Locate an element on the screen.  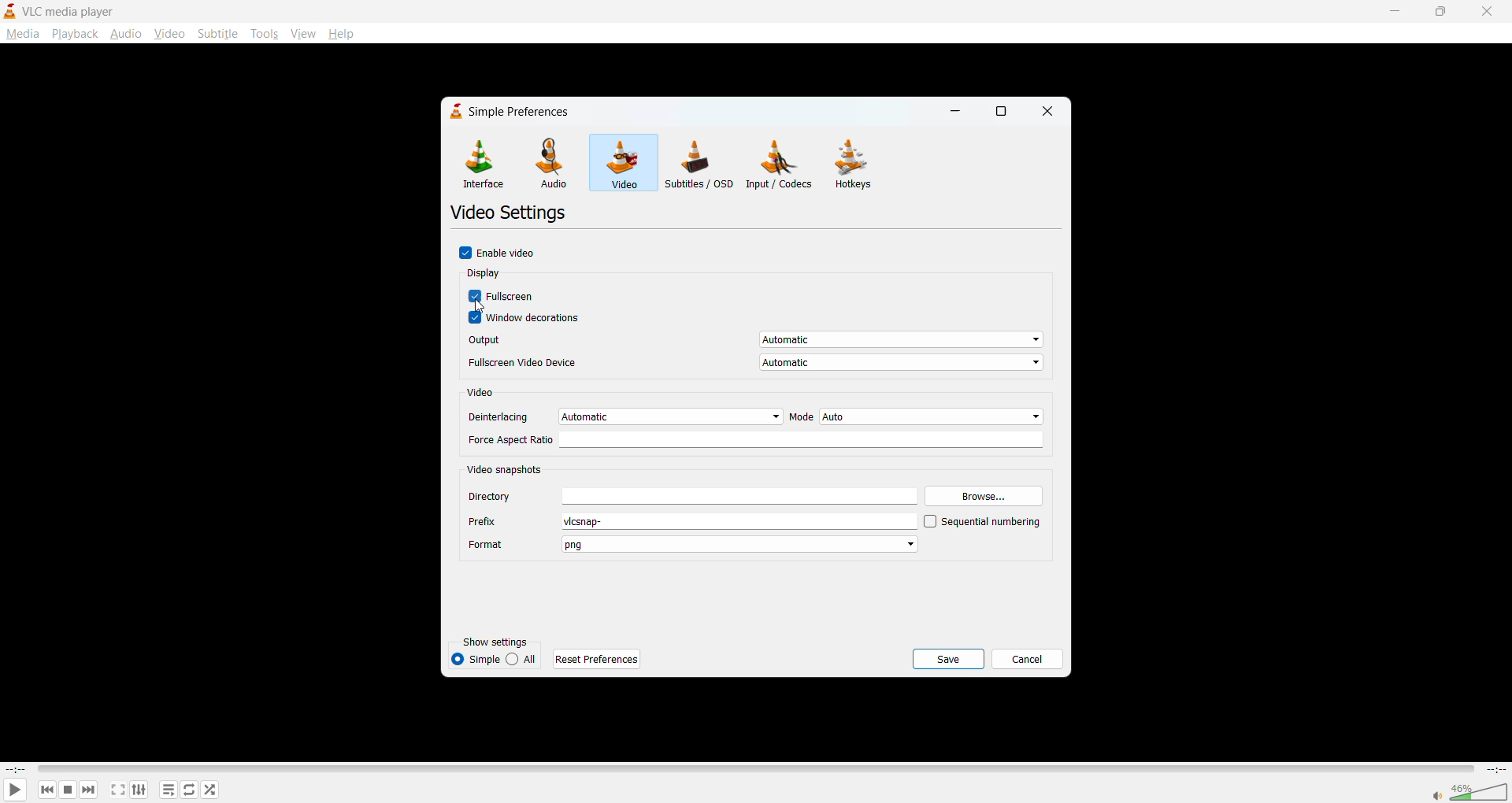
directory is located at coordinates (692, 496).